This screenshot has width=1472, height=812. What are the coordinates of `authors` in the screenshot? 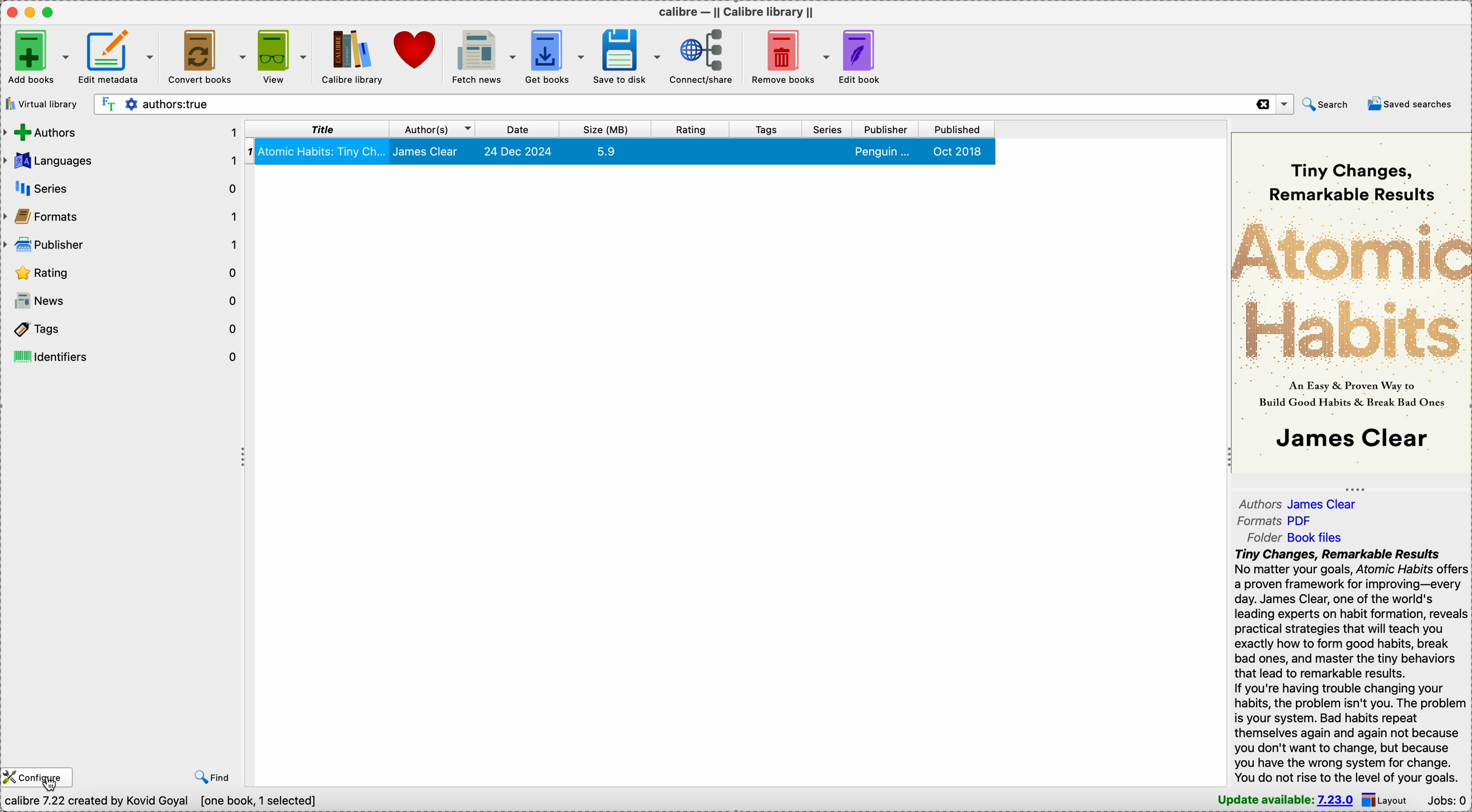 It's located at (121, 133).